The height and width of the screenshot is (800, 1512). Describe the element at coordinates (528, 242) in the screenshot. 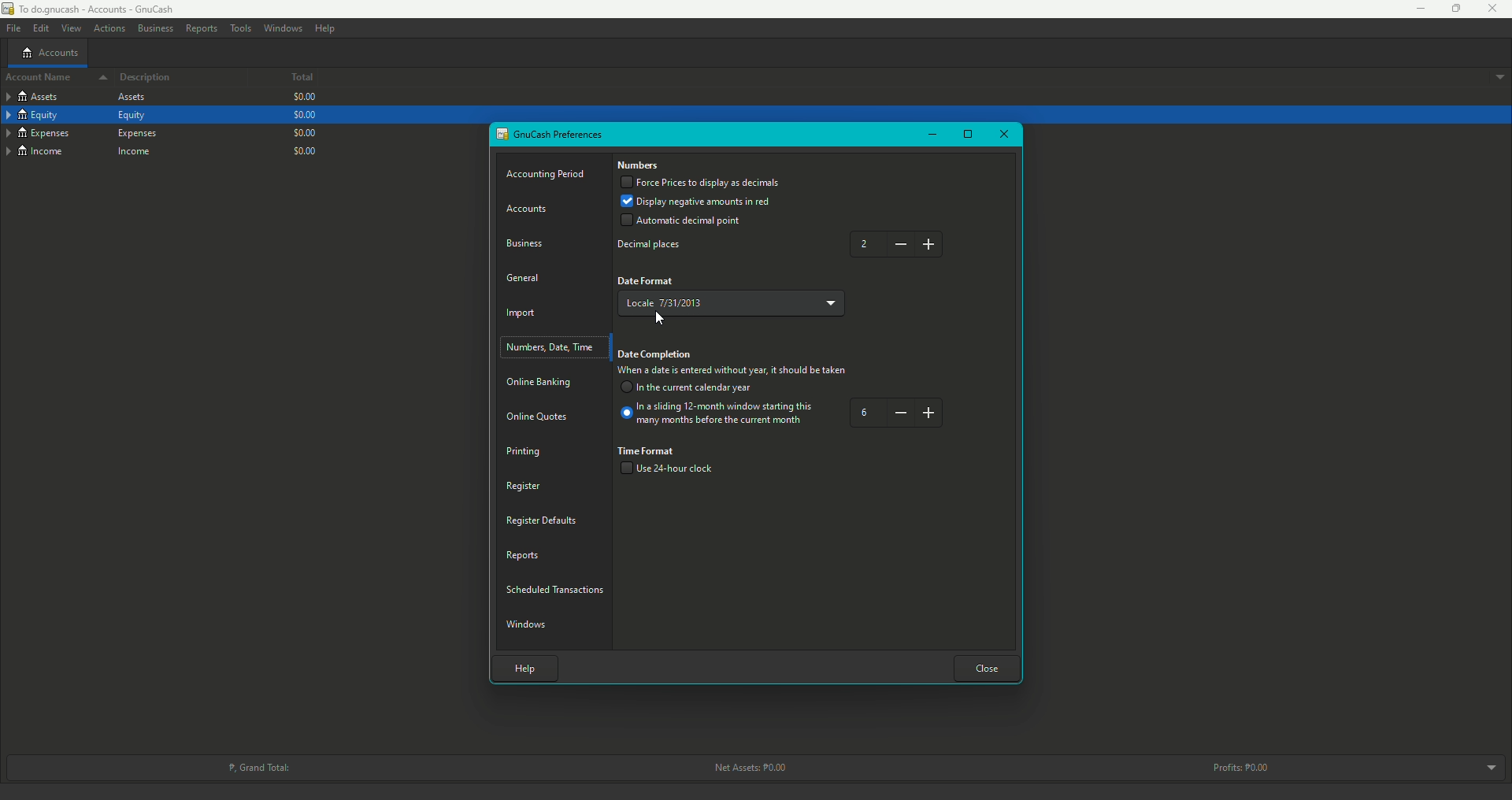

I see `Business` at that location.